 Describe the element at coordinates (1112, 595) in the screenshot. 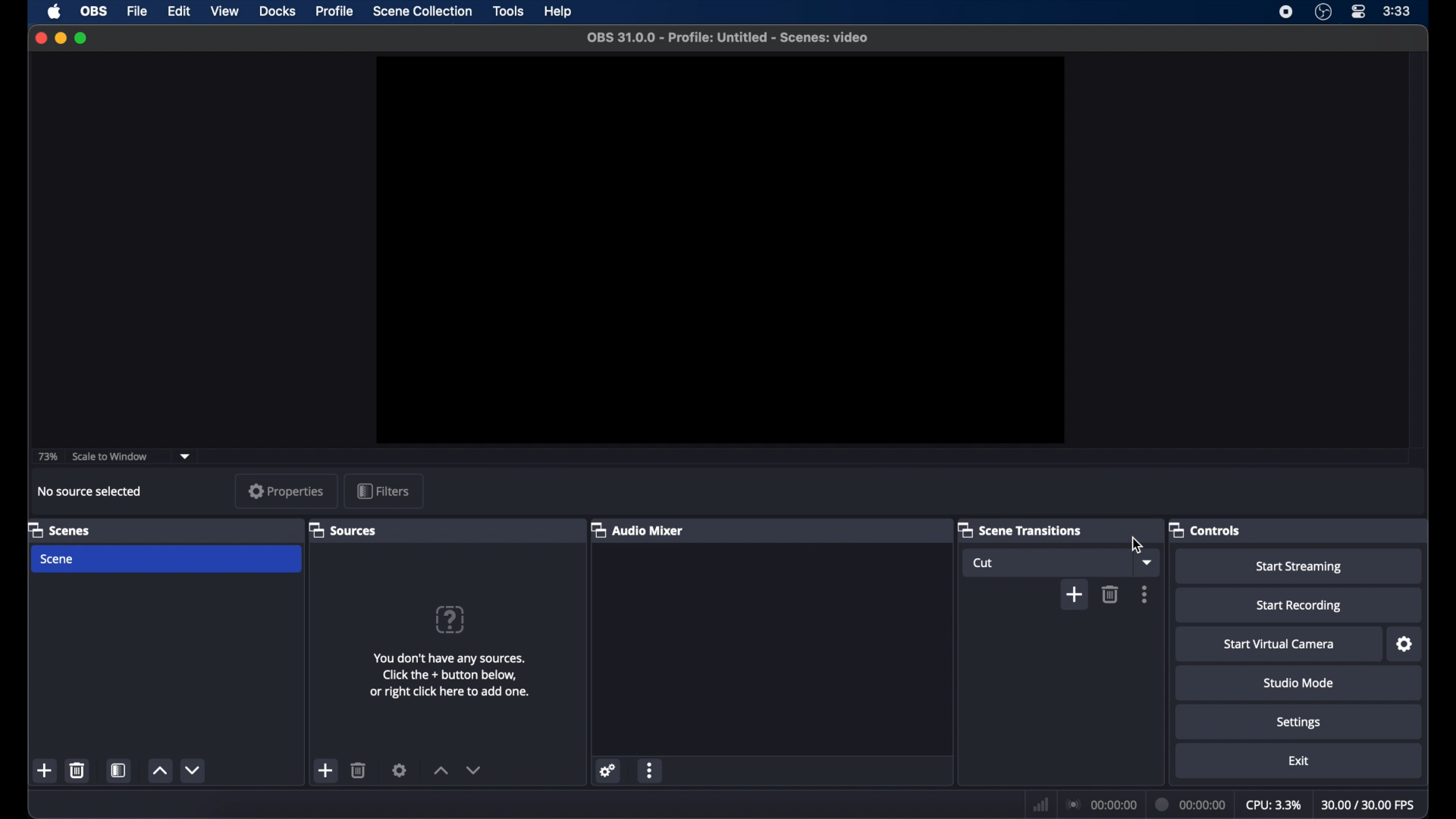

I see `delete` at that location.